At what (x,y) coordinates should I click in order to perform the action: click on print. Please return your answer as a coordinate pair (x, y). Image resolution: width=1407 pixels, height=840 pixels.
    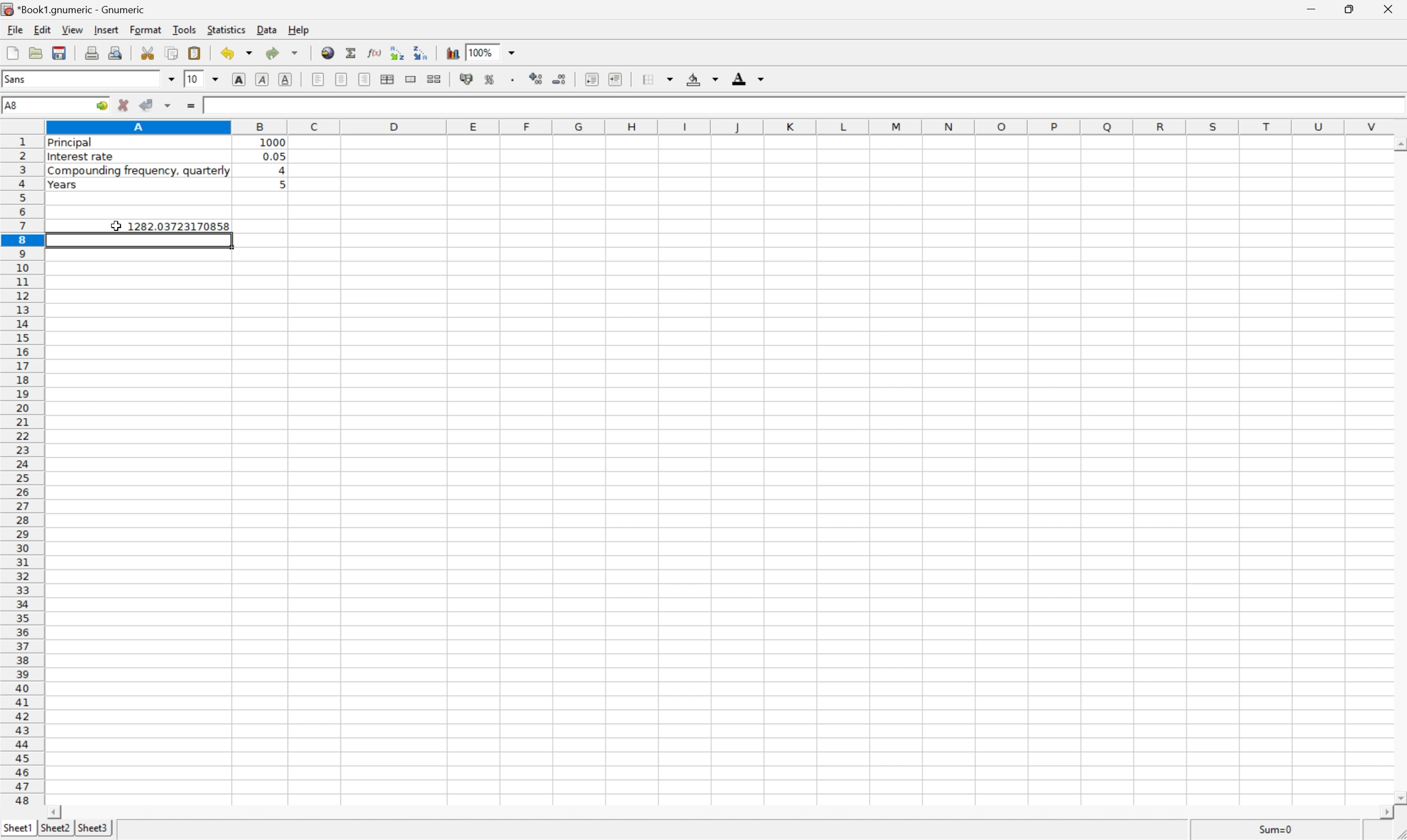
    Looking at the image, I should click on (92, 53).